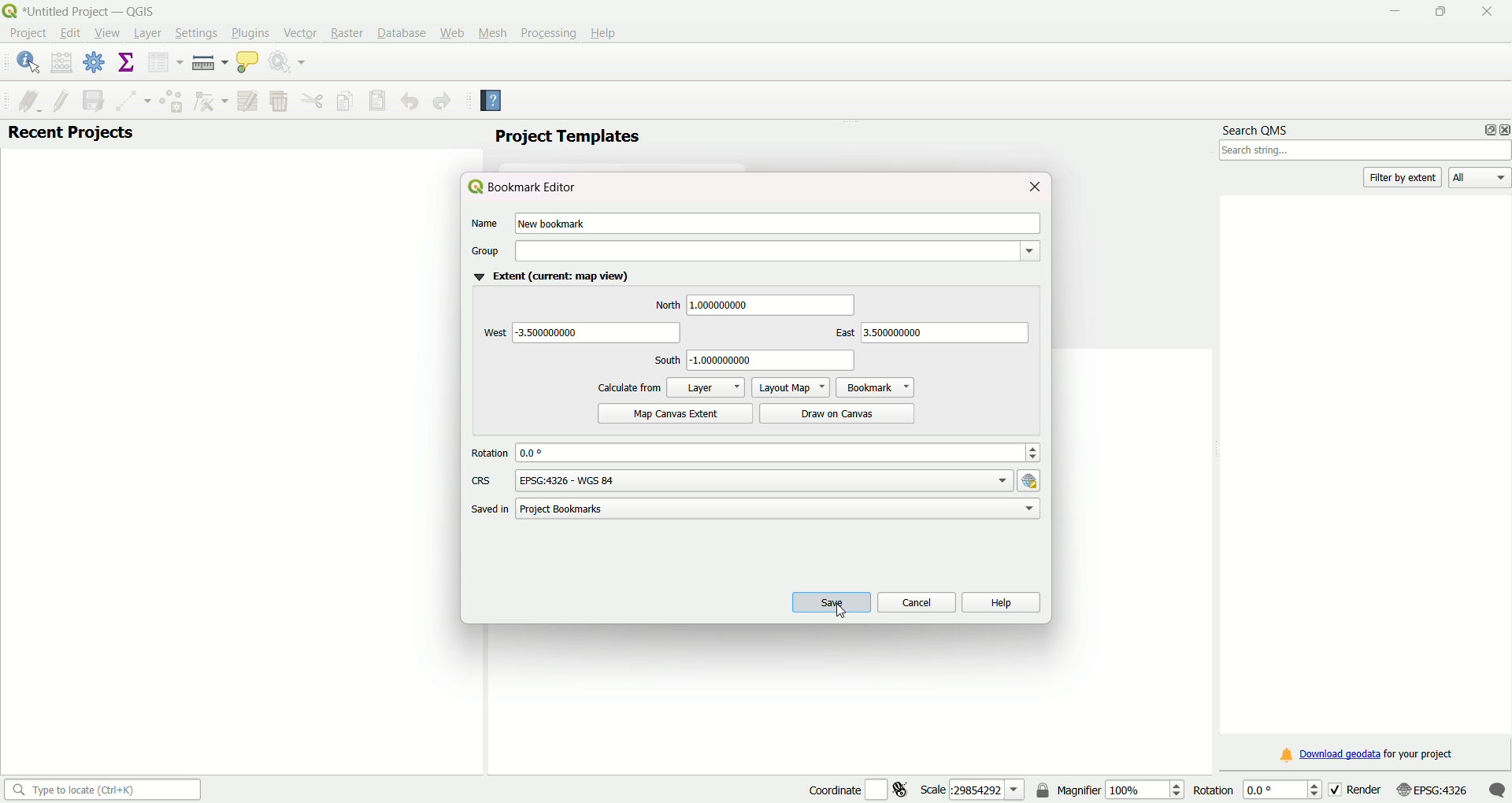  What do you see at coordinates (170, 101) in the screenshot?
I see `add feature` at bounding box center [170, 101].